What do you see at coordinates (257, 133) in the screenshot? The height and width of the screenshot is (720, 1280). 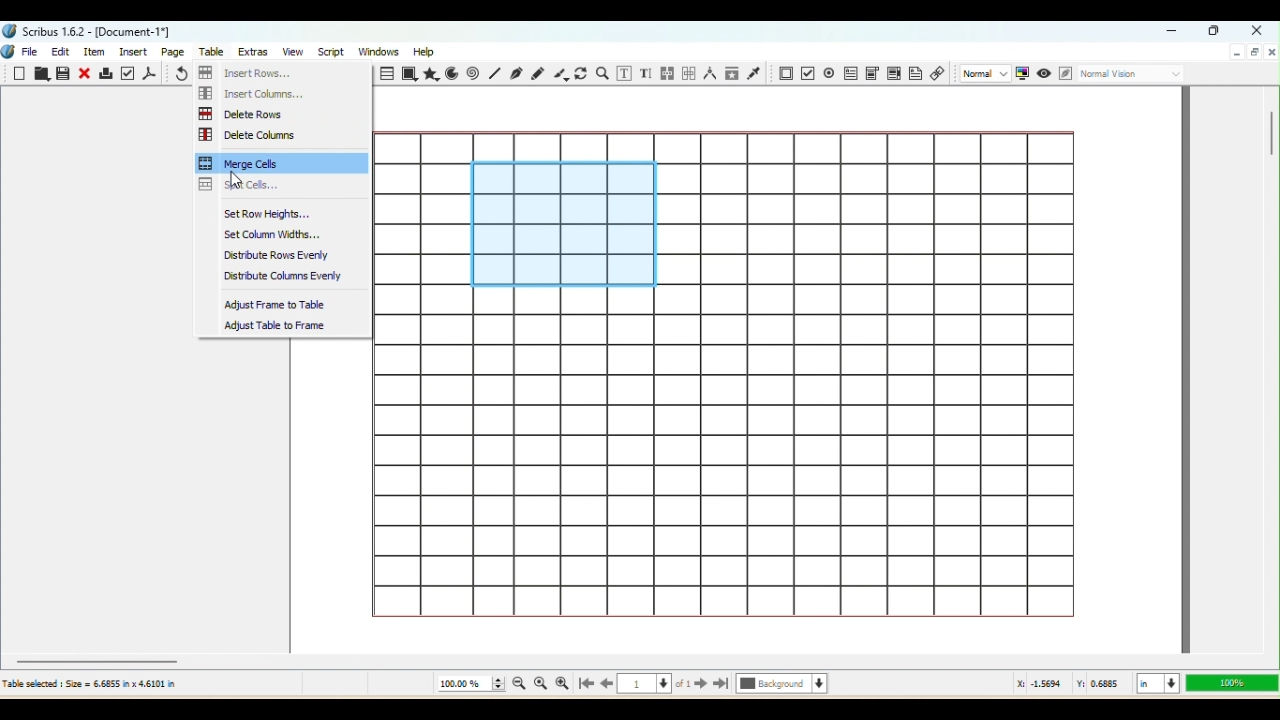 I see `Delete Columns` at bounding box center [257, 133].